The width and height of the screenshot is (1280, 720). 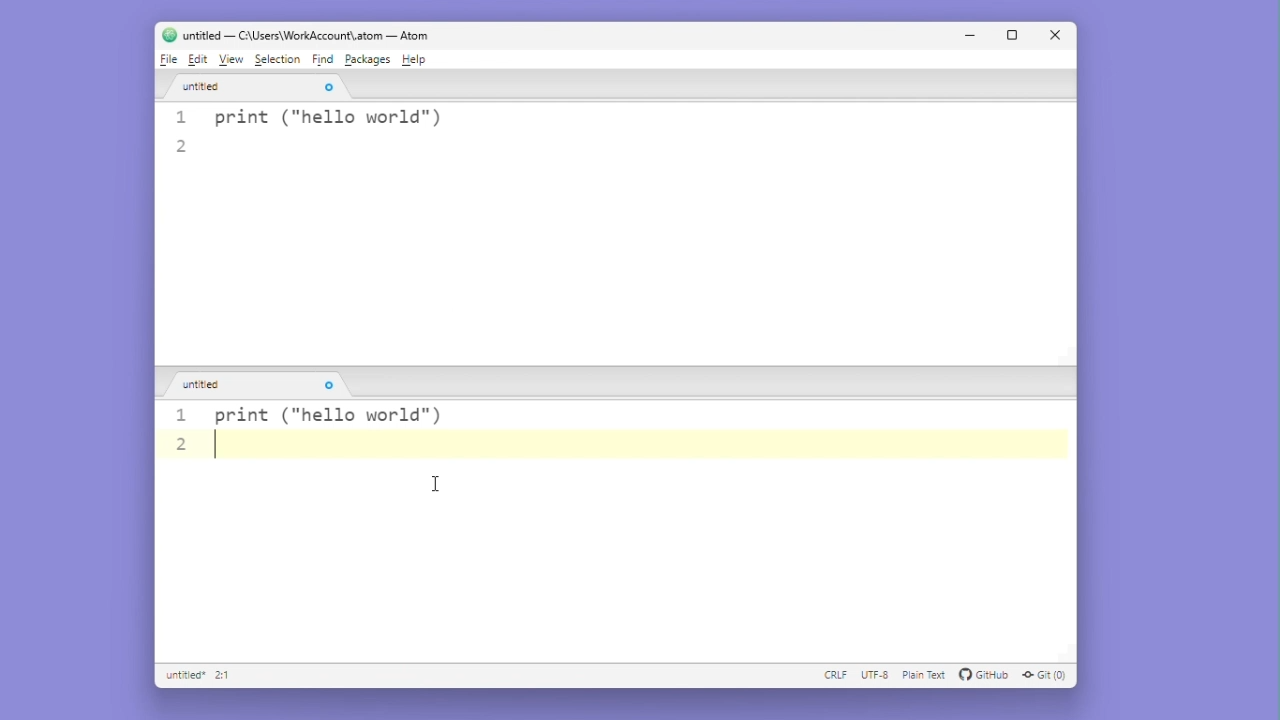 I want to click on Help, so click(x=417, y=59).